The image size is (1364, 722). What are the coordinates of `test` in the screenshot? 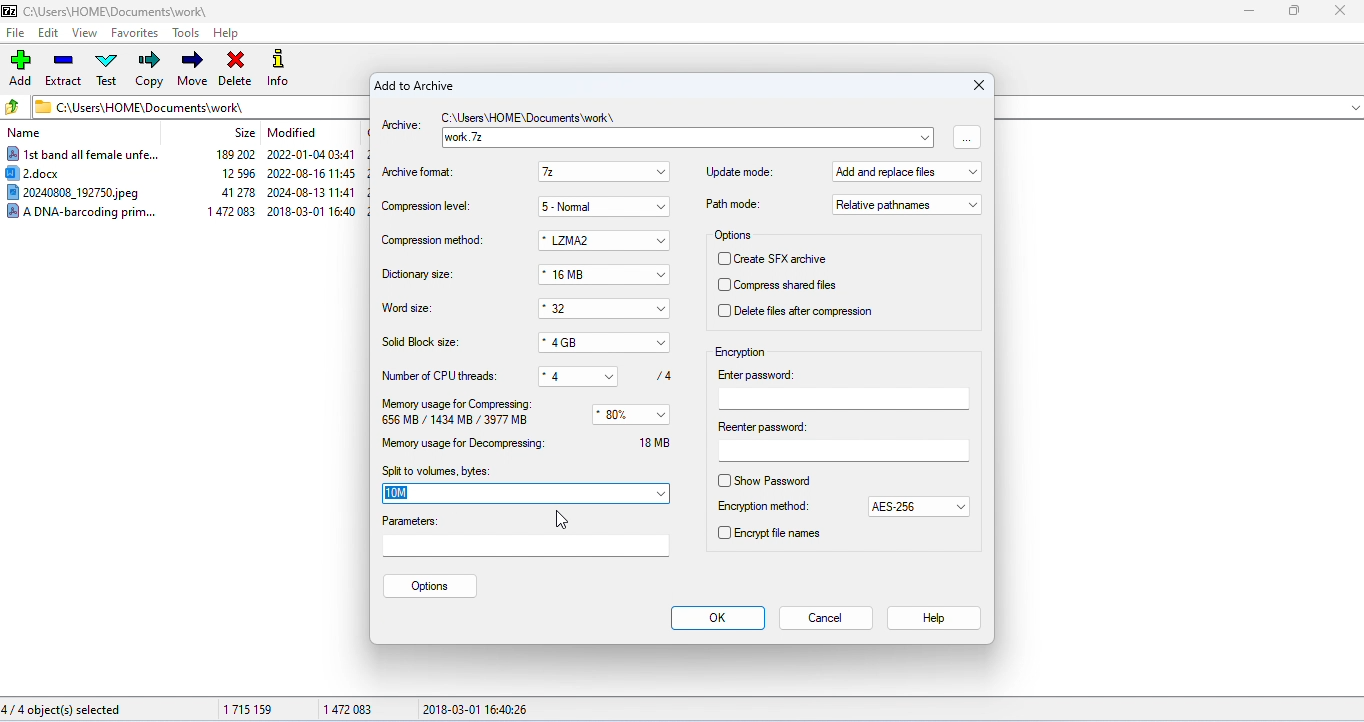 It's located at (107, 68).